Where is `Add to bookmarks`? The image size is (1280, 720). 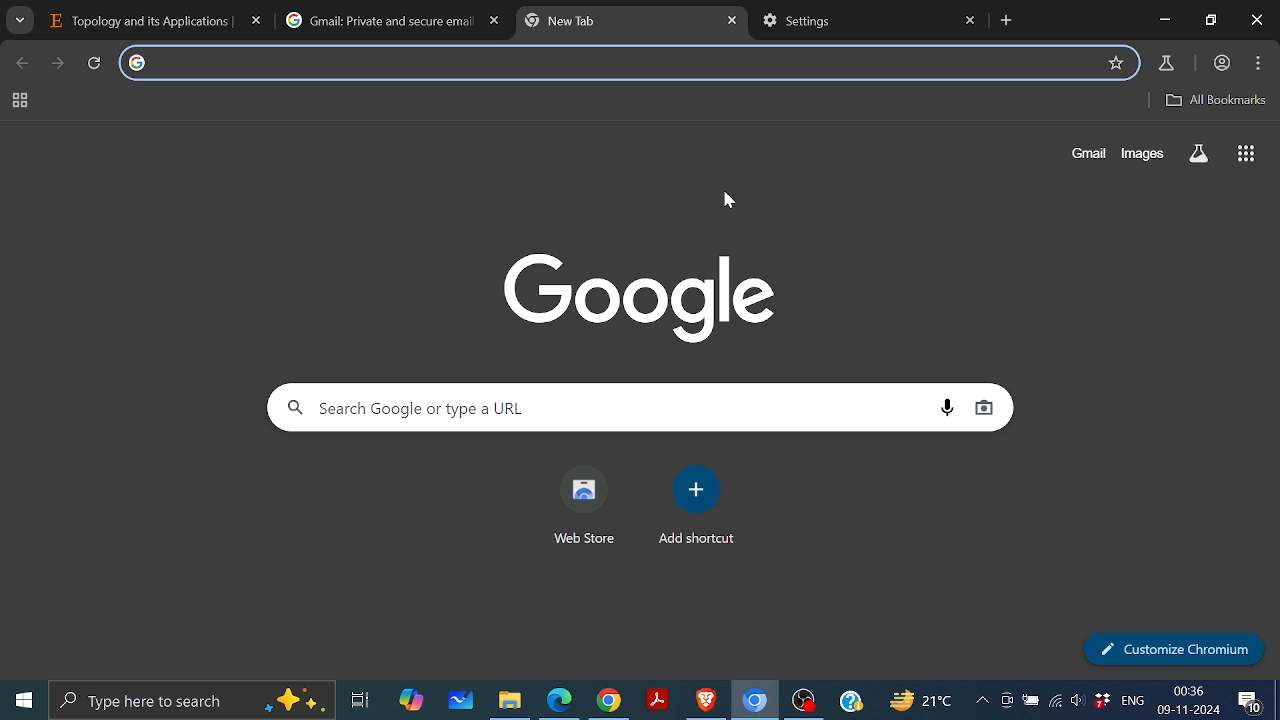
Add to bookmarks is located at coordinates (1116, 62).